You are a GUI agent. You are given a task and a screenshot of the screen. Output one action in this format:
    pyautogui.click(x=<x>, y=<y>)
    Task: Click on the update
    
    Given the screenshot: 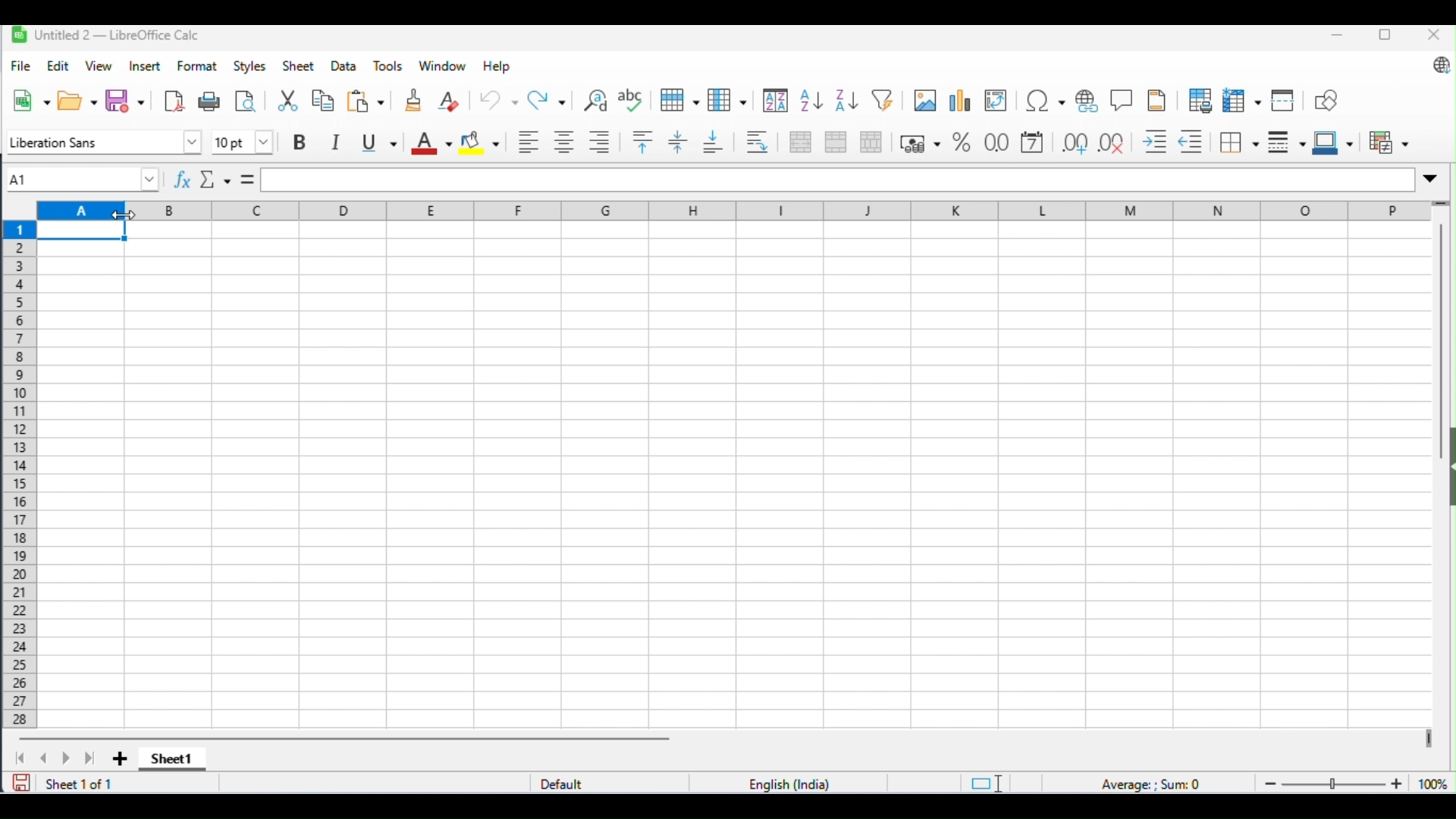 What is the action you would take?
    pyautogui.click(x=1437, y=66)
    